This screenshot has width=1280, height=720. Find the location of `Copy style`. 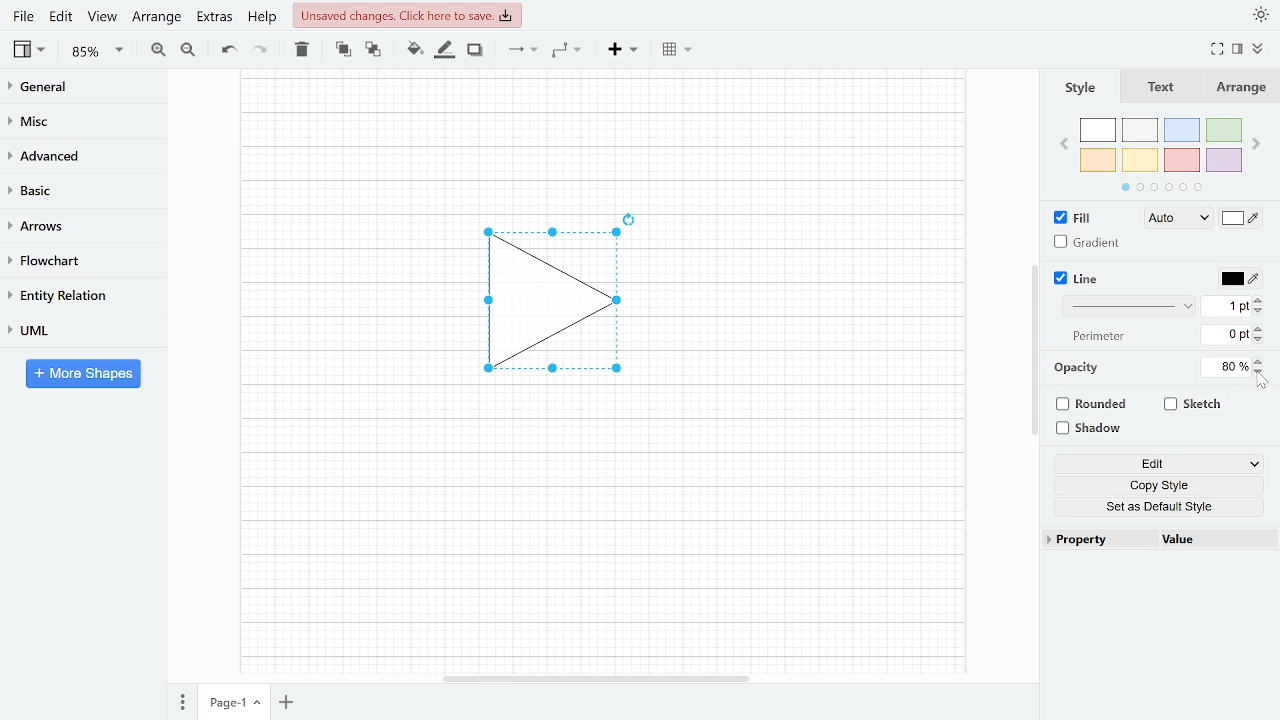

Copy style is located at coordinates (1163, 486).